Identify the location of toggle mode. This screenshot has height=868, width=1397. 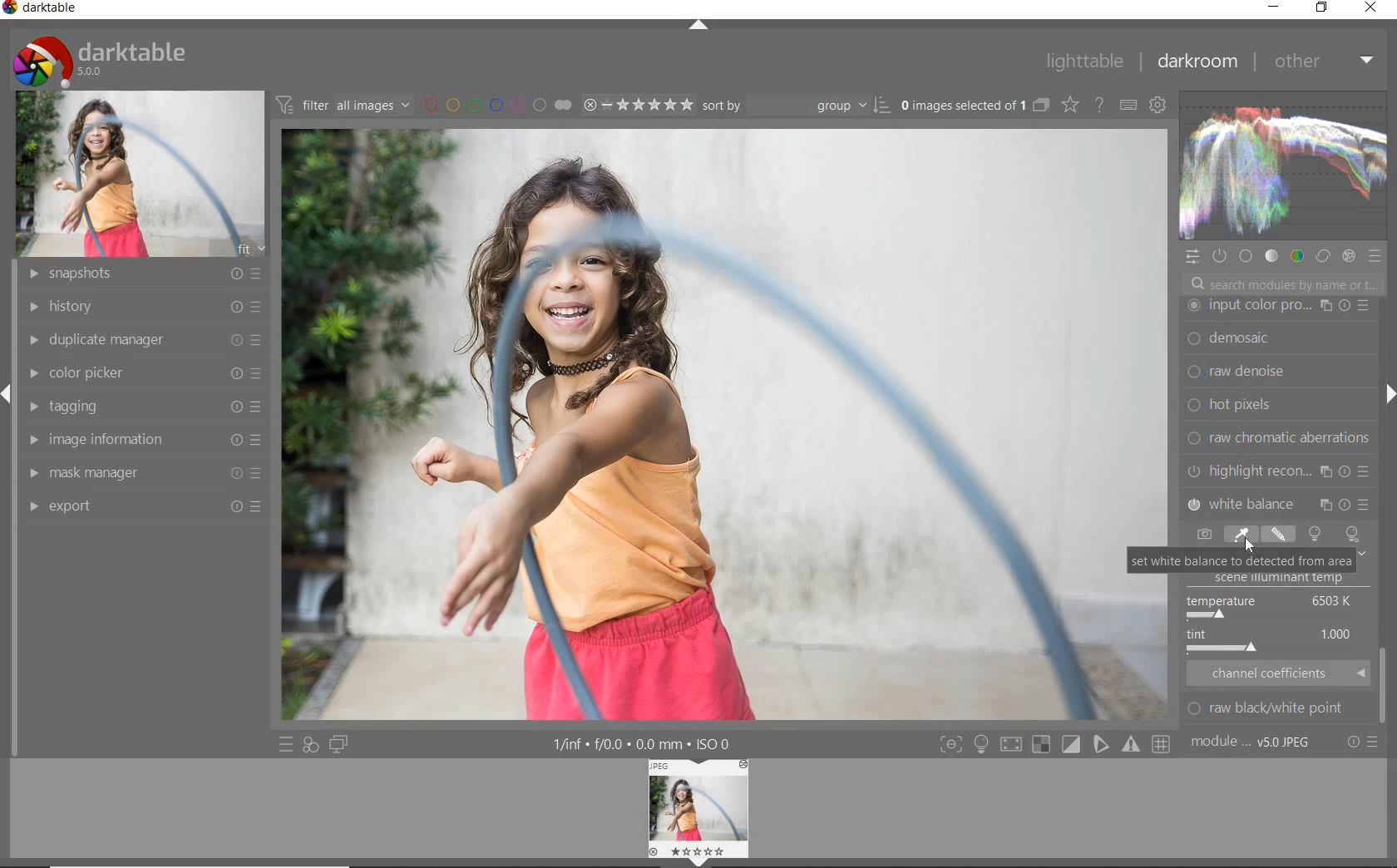
(950, 744).